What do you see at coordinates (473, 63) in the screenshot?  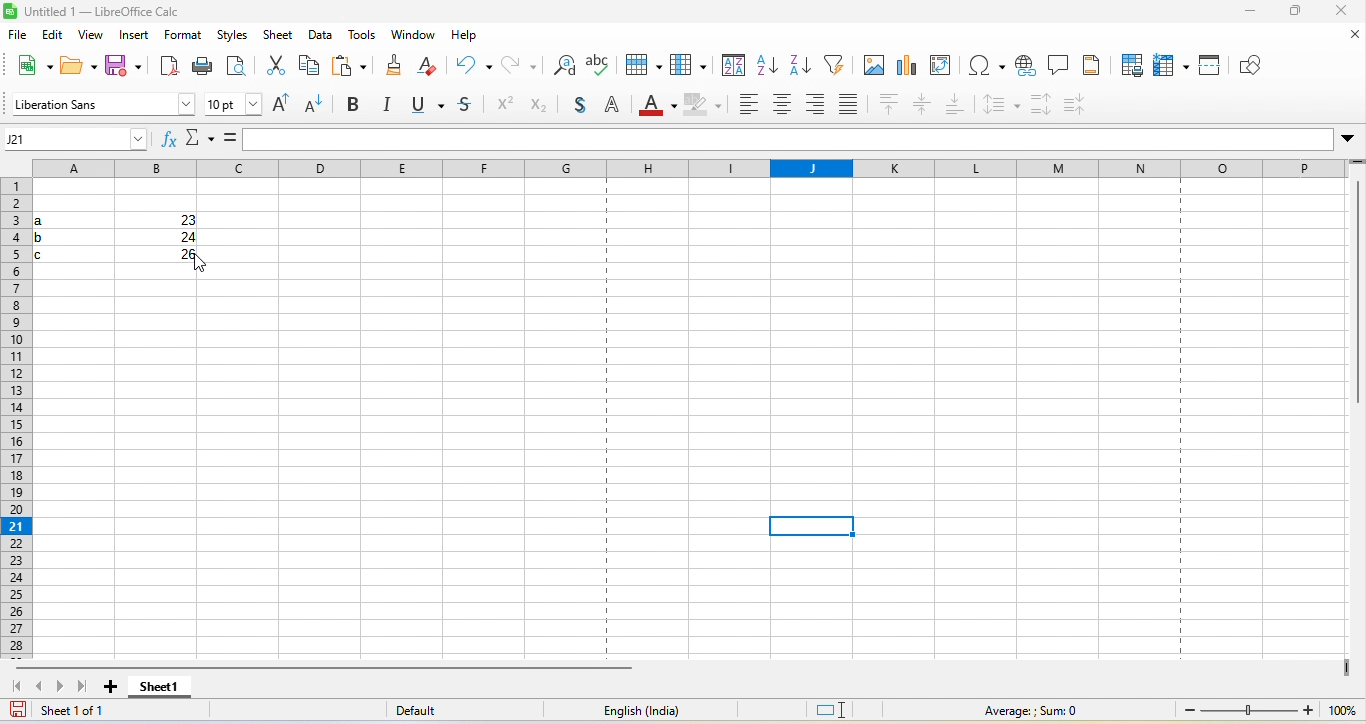 I see `undo` at bounding box center [473, 63].